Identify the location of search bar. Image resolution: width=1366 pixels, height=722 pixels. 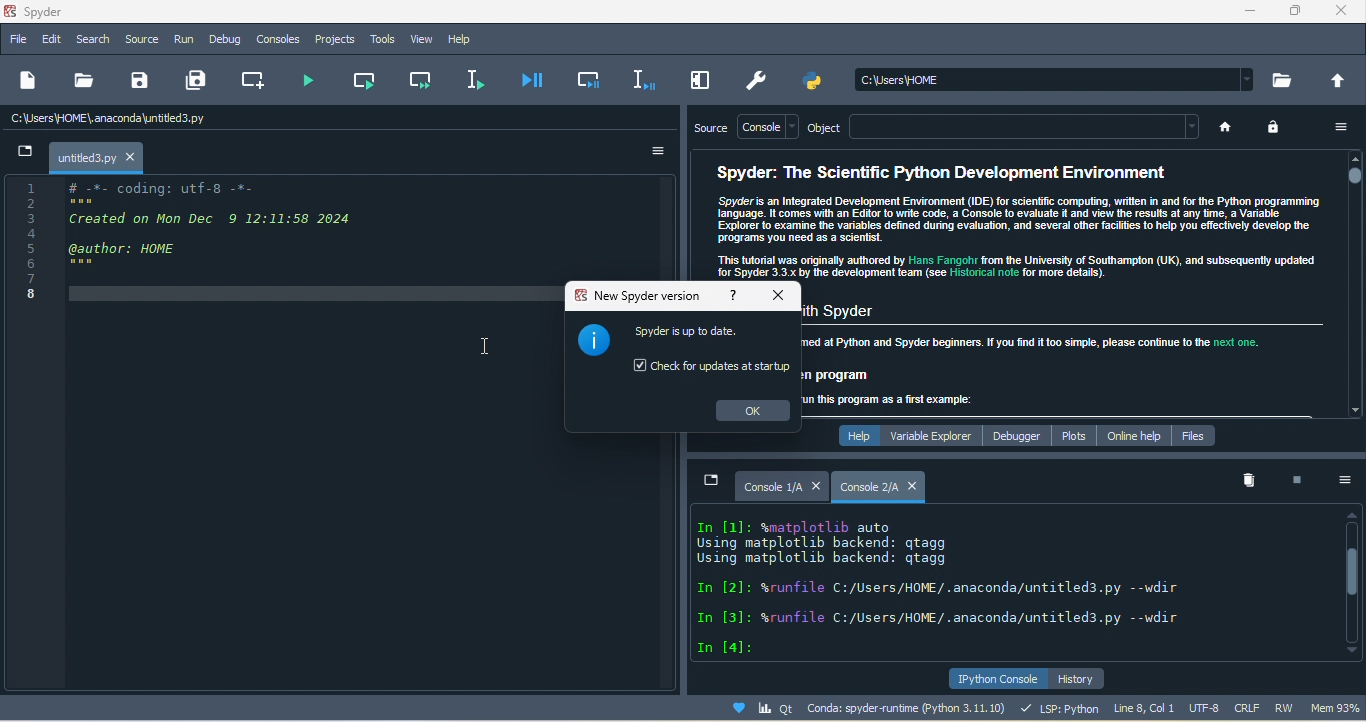
(1058, 78).